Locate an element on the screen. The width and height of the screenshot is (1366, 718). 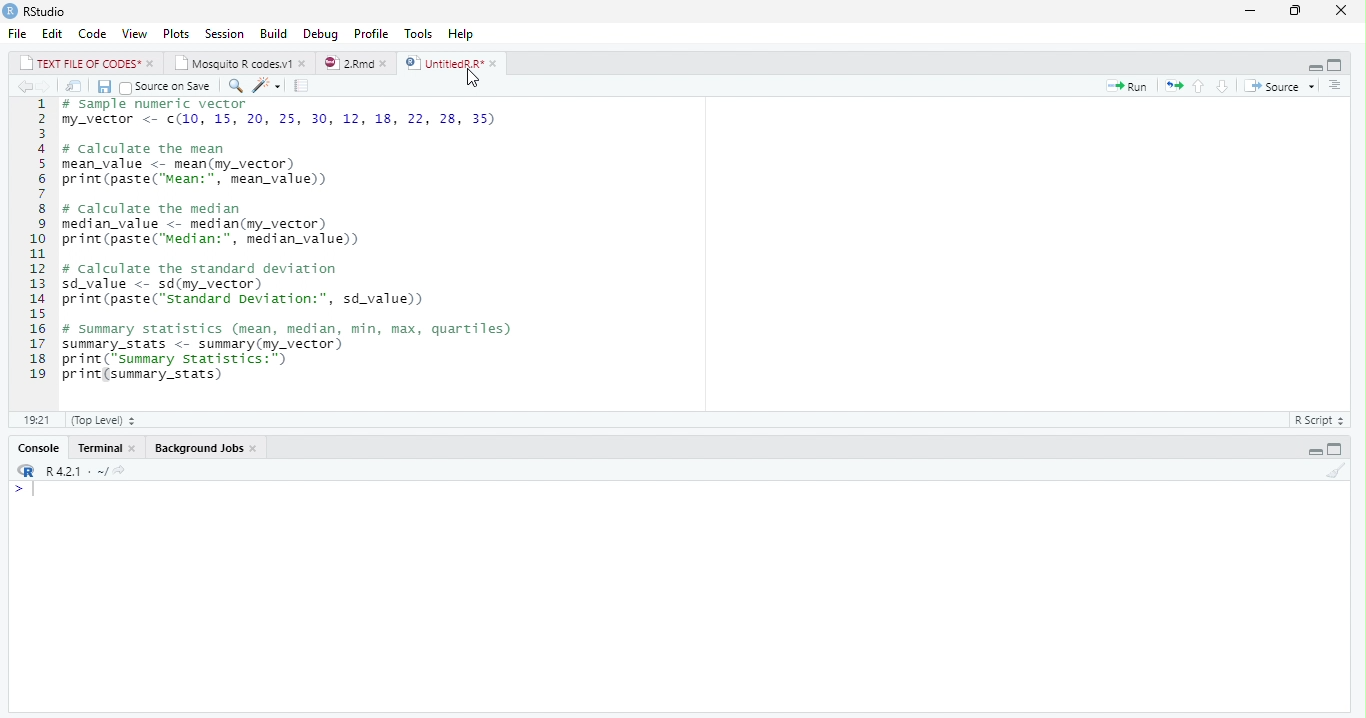
TEXT FILE OF CODES is located at coordinates (82, 65).